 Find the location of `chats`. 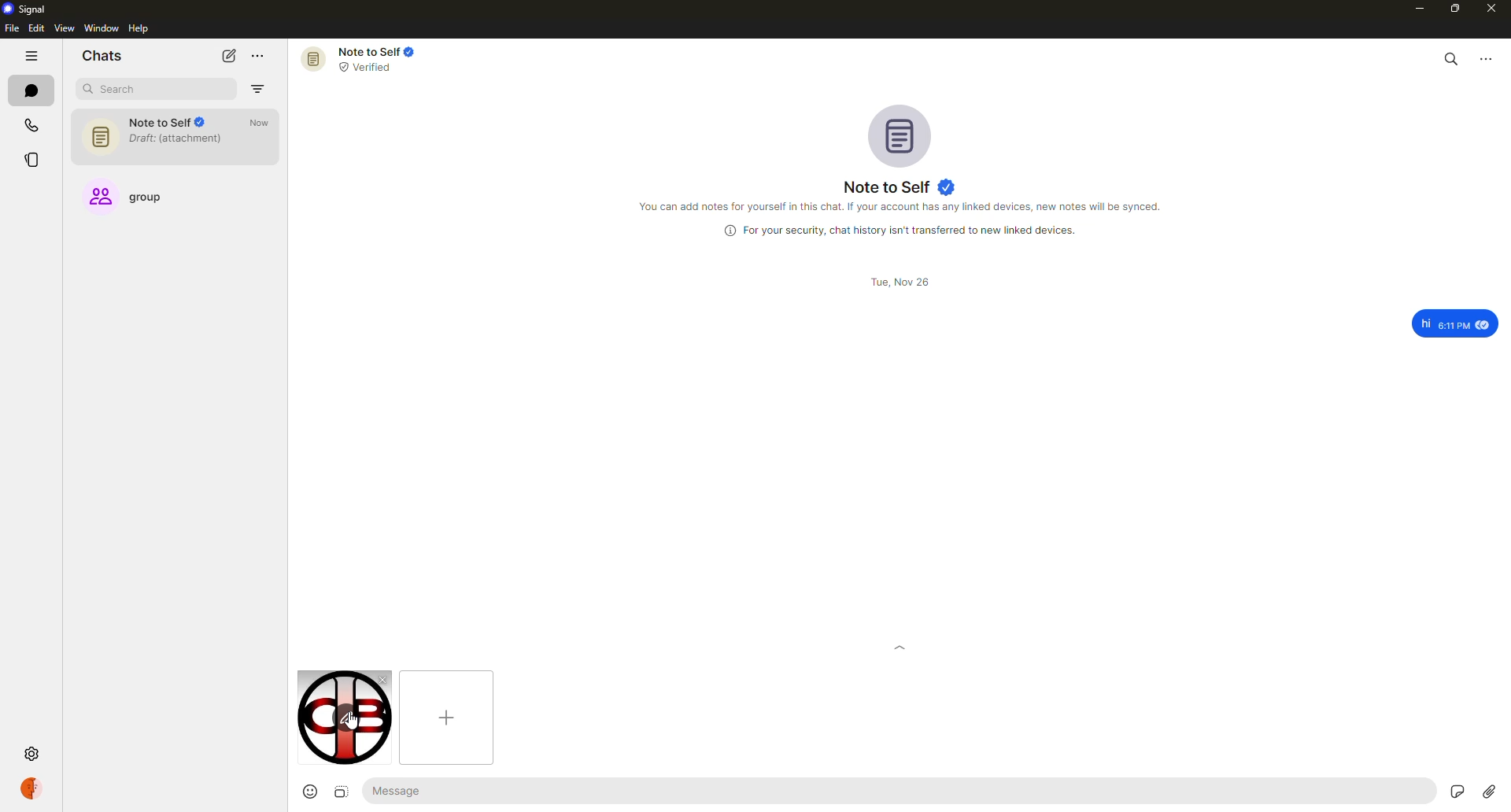

chats is located at coordinates (28, 90).